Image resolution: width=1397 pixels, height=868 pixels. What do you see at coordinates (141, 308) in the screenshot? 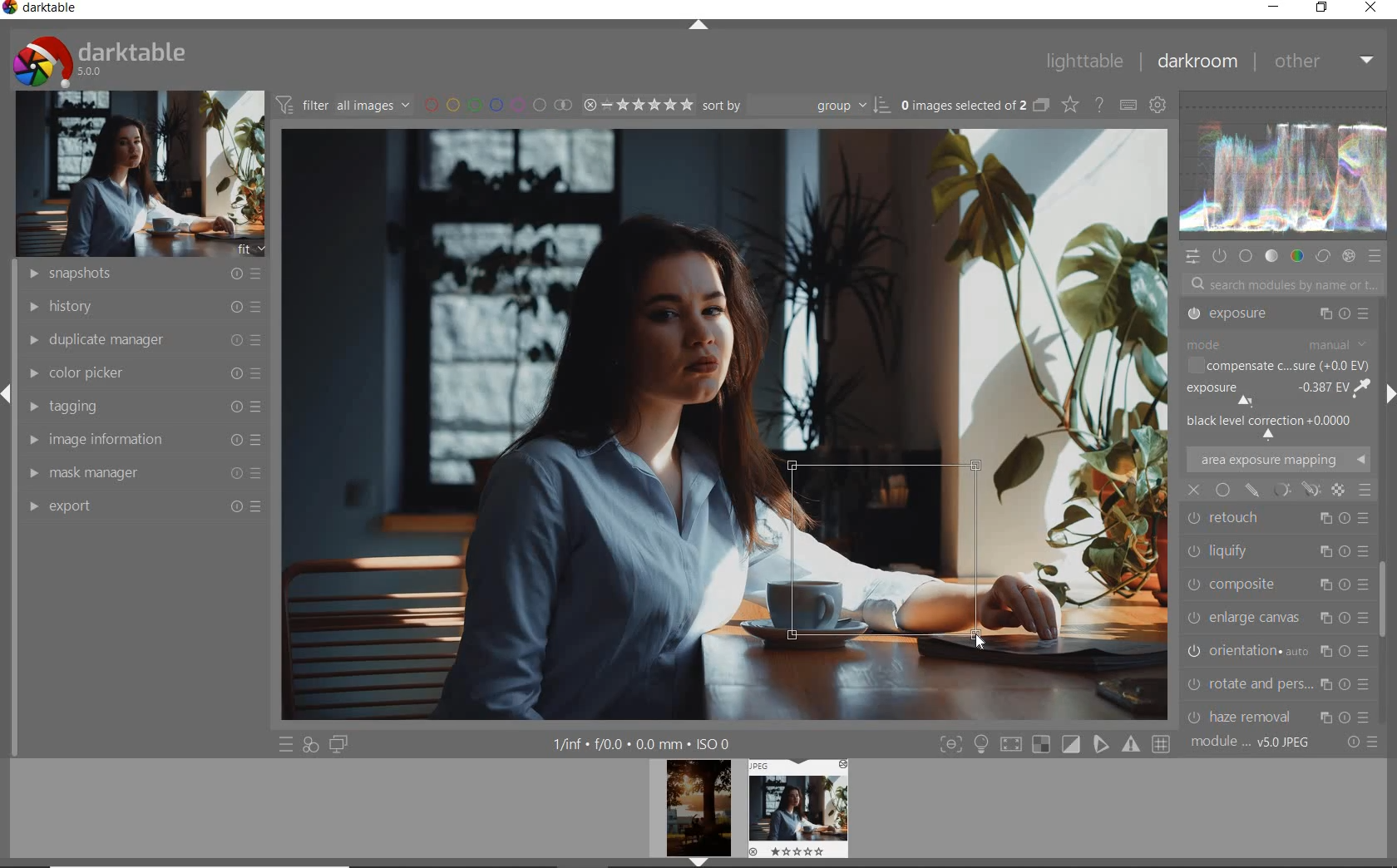
I see `HISTORY` at bounding box center [141, 308].